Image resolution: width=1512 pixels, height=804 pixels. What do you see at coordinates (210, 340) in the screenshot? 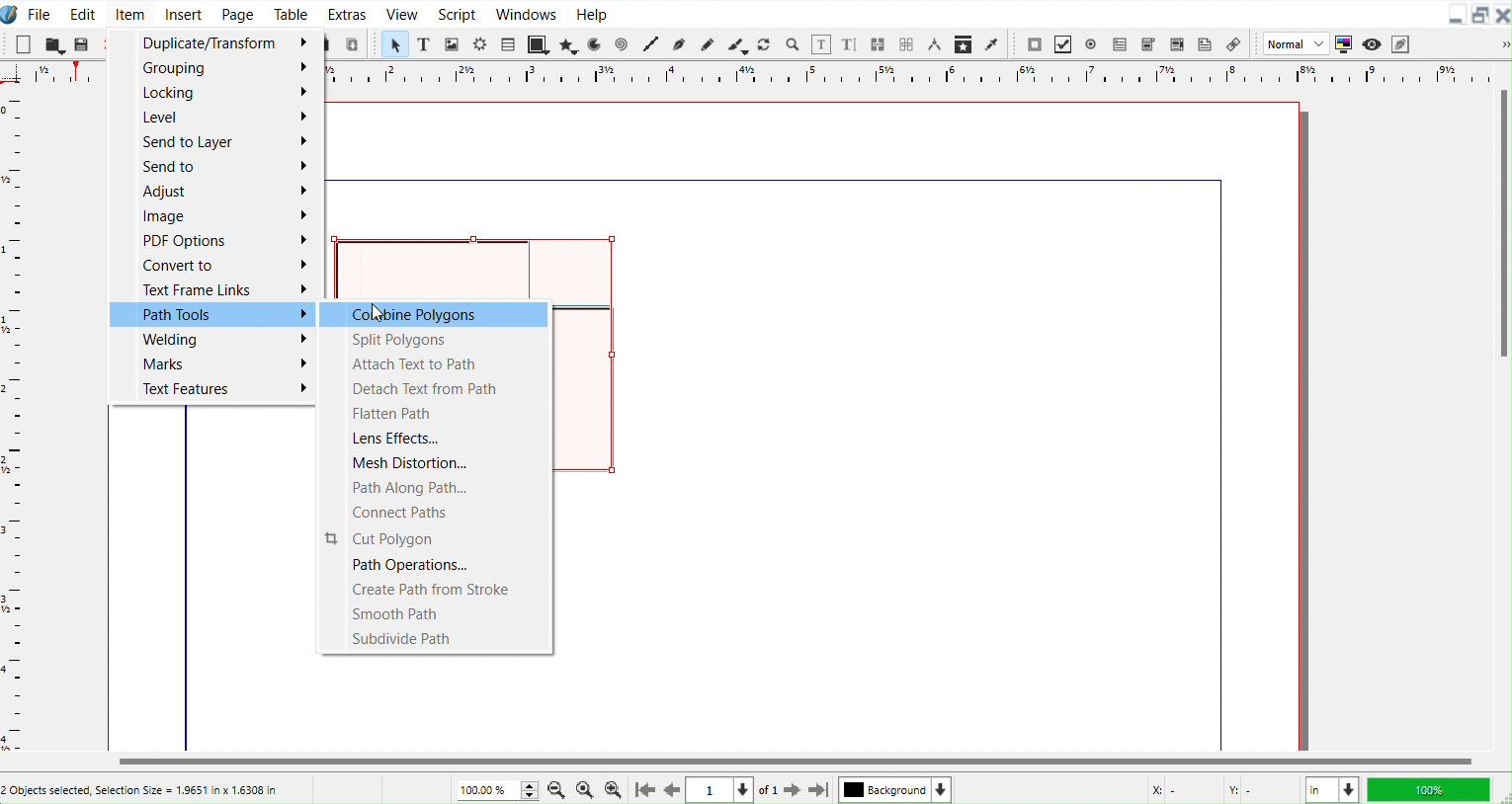
I see `Welding` at bounding box center [210, 340].